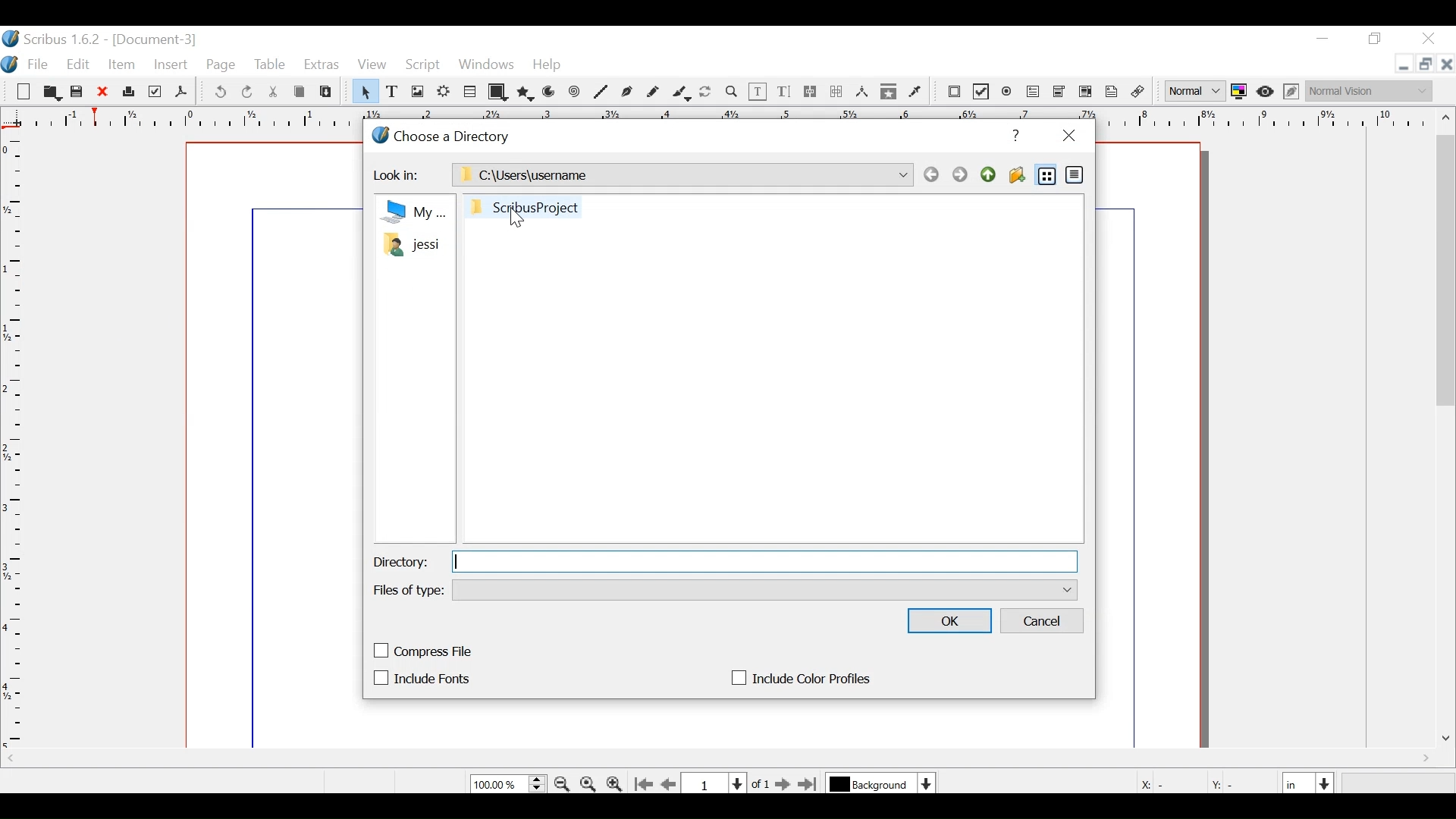  Describe the element at coordinates (1434, 39) in the screenshot. I see `Close` at that location.